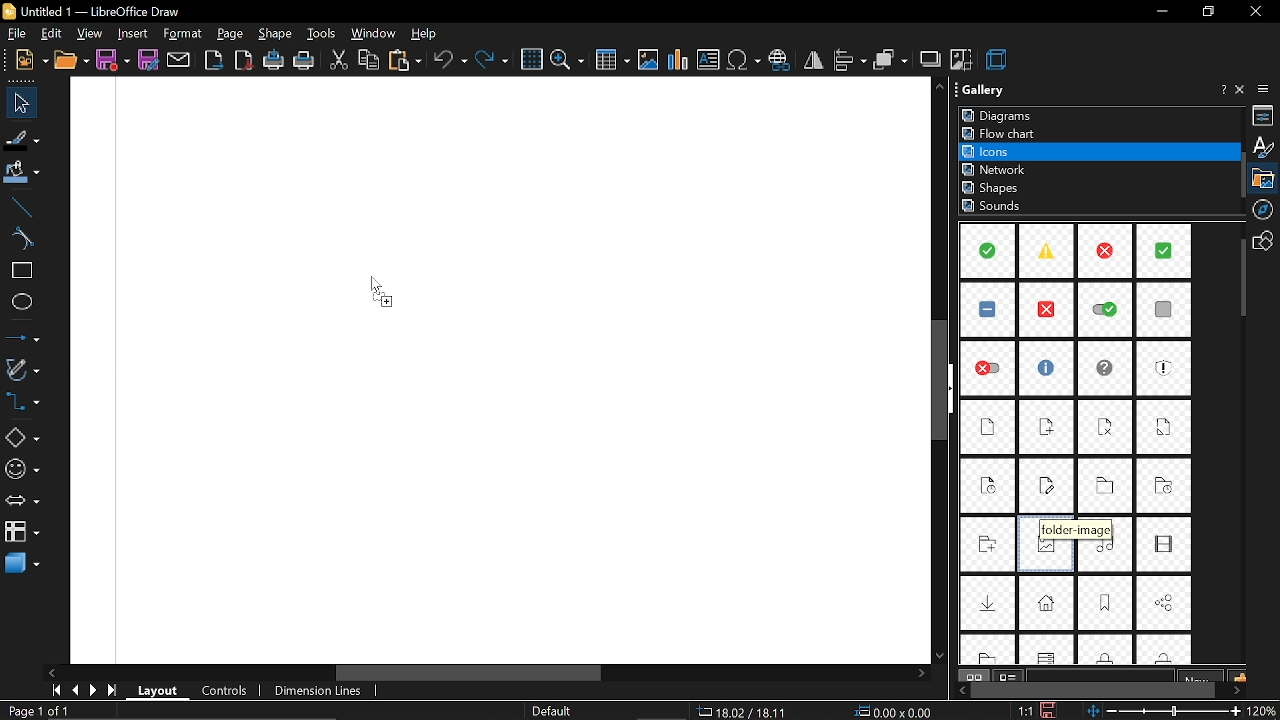 The image size is (1280, 720). What do you see at coordinates (930, 60) in the screenshot?
I see `shadow` at bounding box center [930, 60].